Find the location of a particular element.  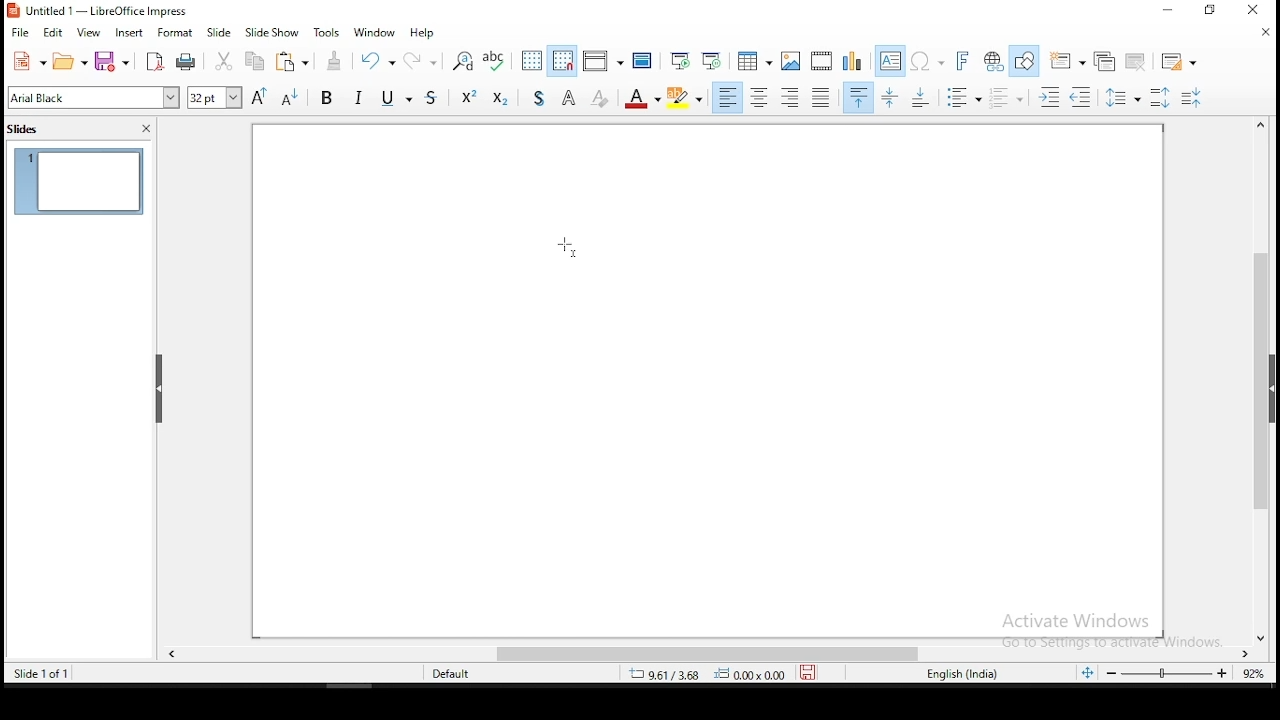

insert font work text is located at coordinates (963, 61).